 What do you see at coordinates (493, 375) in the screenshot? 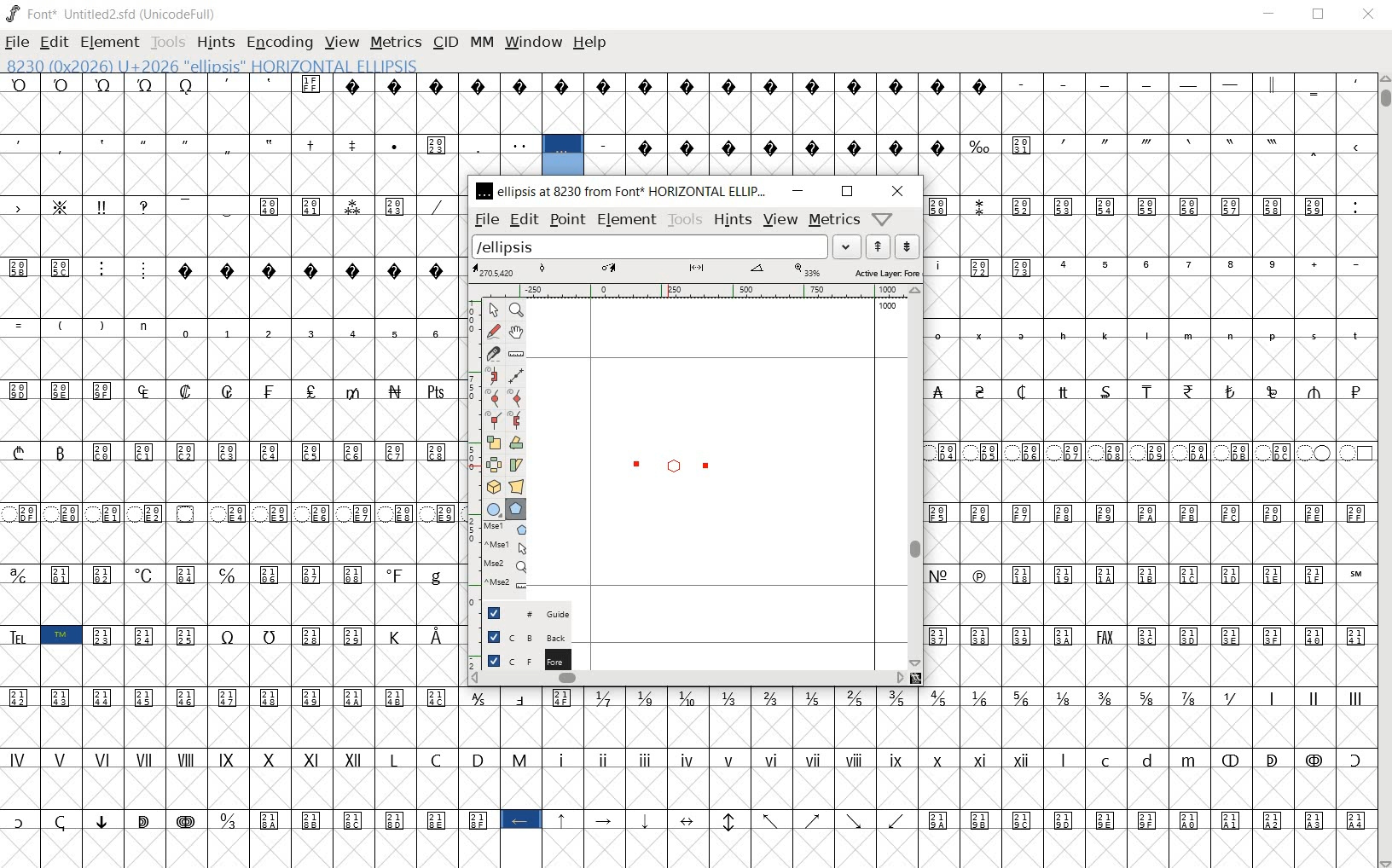
I see `change whether spiro is active or not` at bounding box center [493, 375].